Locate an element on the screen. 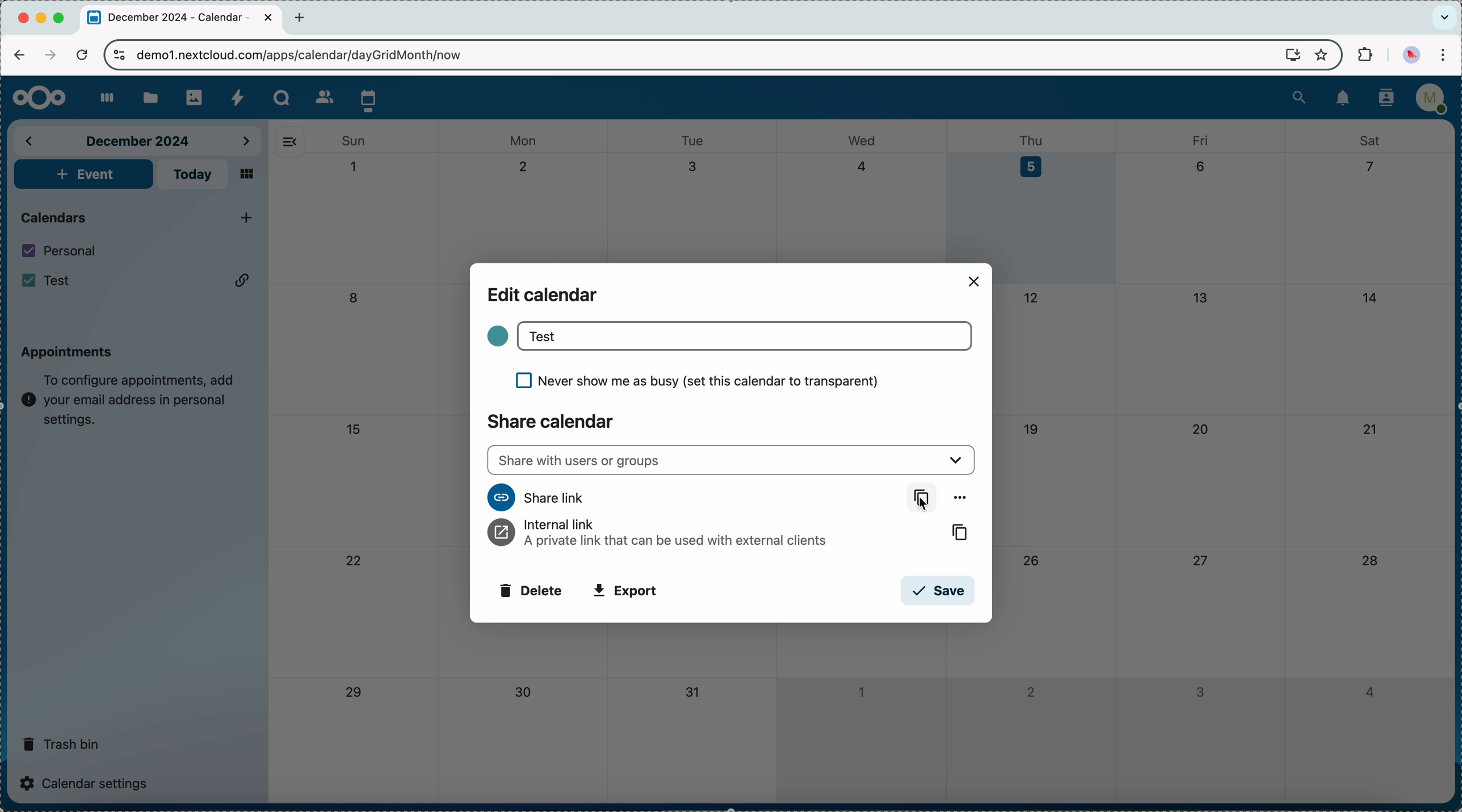  20 is located at coordinates (1201, 429).